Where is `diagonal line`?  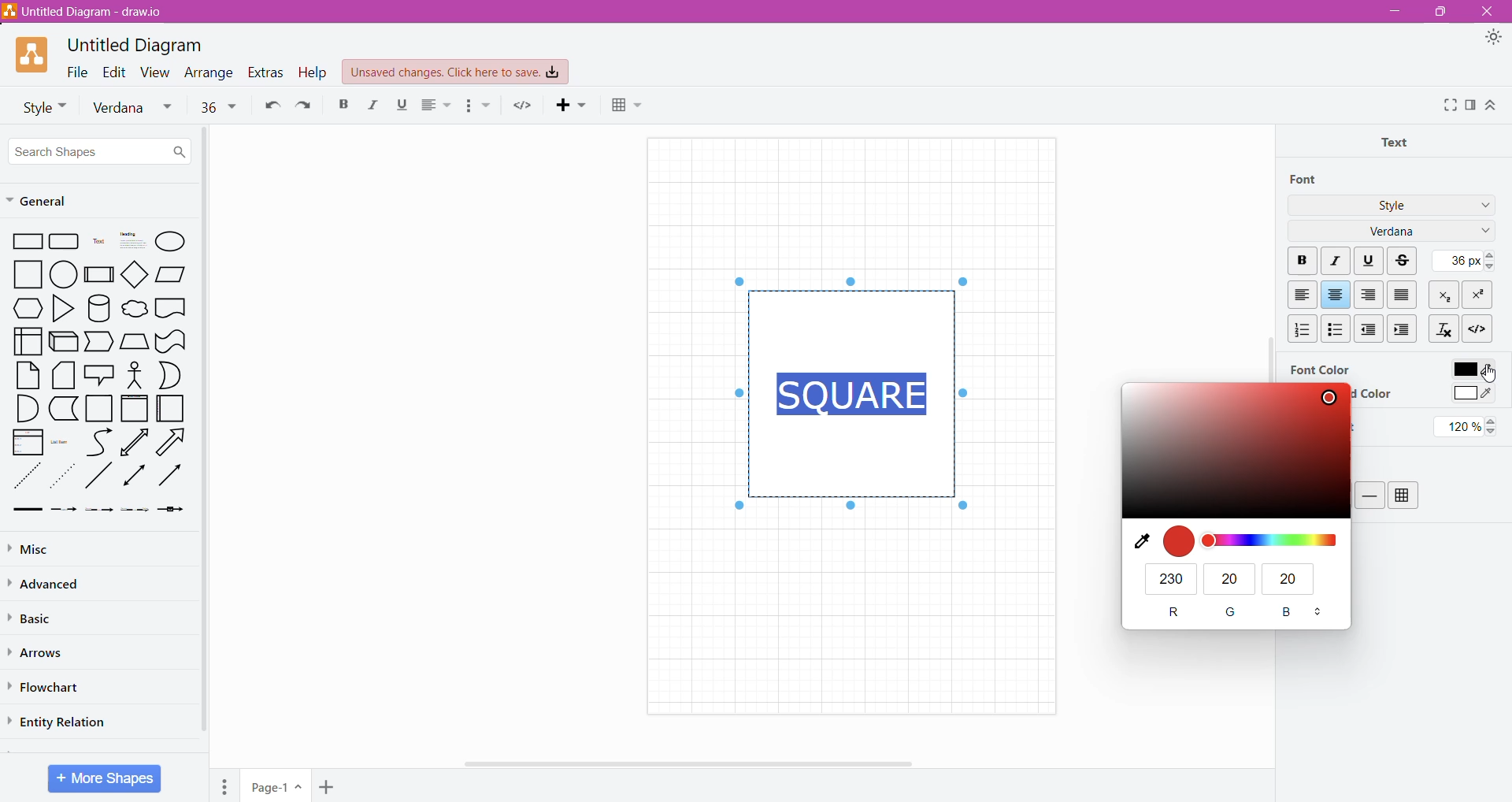 diagonal line is located at coordinates (100, 475).